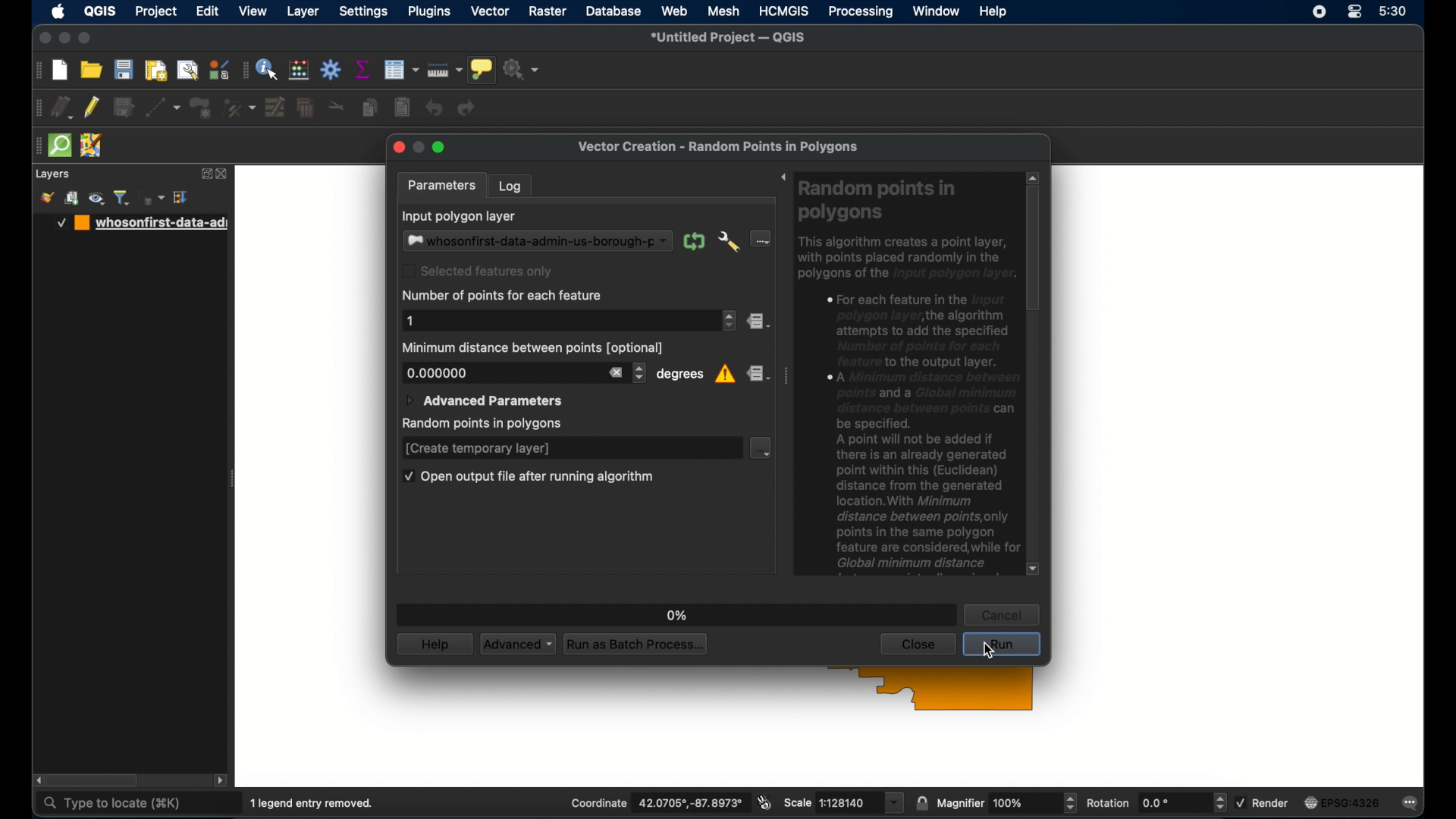  I want to click on polygon feature, so click(200, 107).